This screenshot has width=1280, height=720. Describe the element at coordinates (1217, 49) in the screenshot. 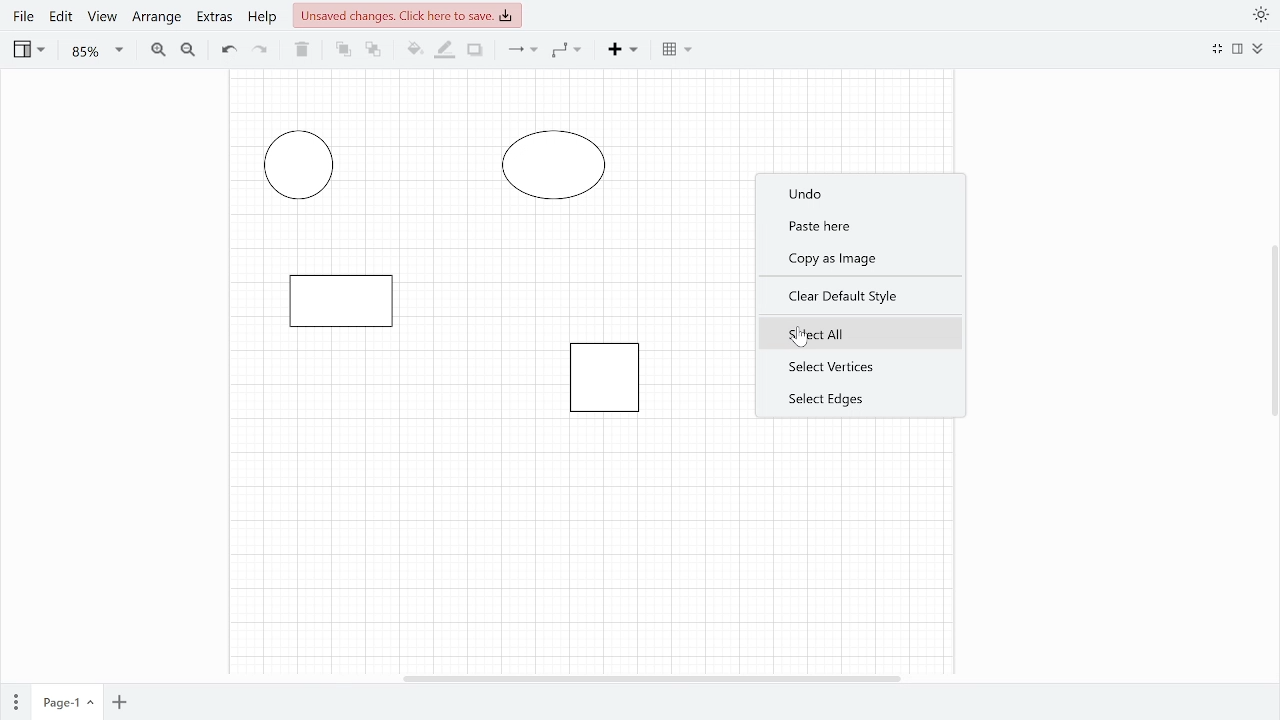

I see `Minimize` at that location.